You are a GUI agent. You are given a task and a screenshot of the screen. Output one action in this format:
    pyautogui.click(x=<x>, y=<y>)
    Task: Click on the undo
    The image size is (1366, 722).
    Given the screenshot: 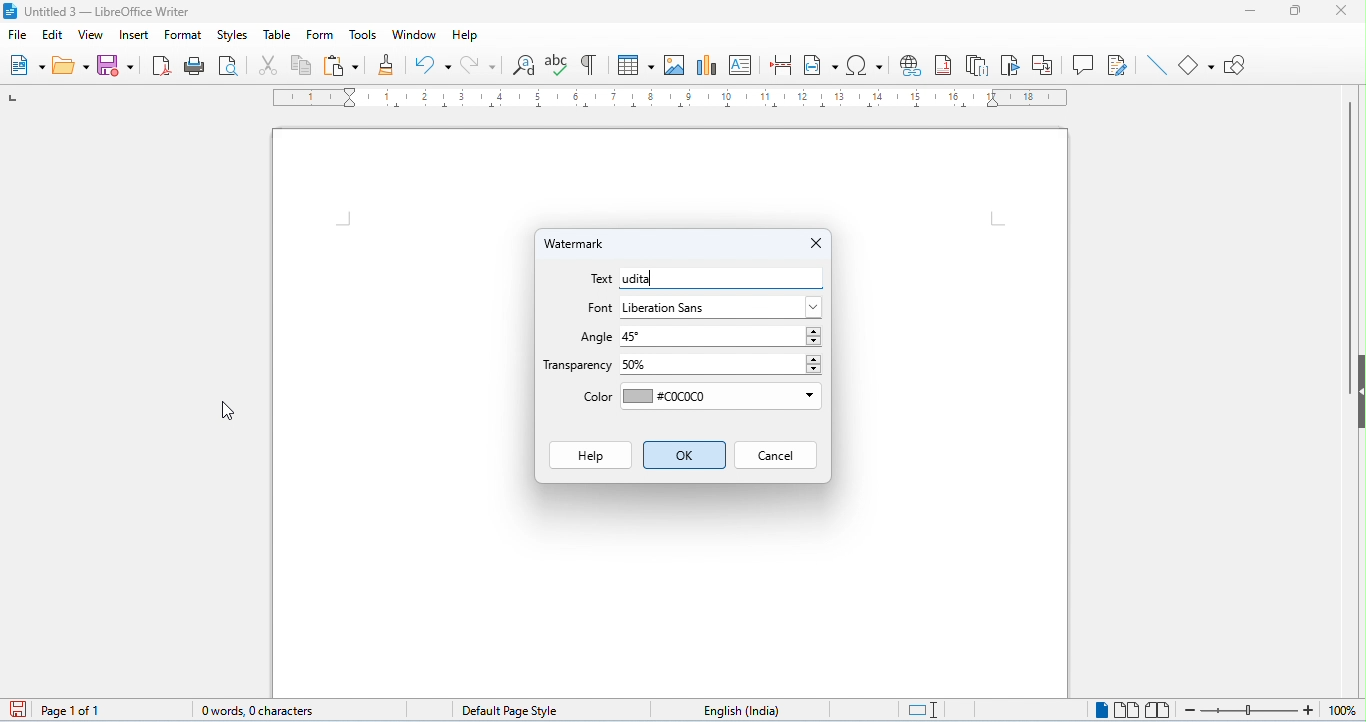 What is the action you would take?
    pyautogui.click(x=433, y=64)
    